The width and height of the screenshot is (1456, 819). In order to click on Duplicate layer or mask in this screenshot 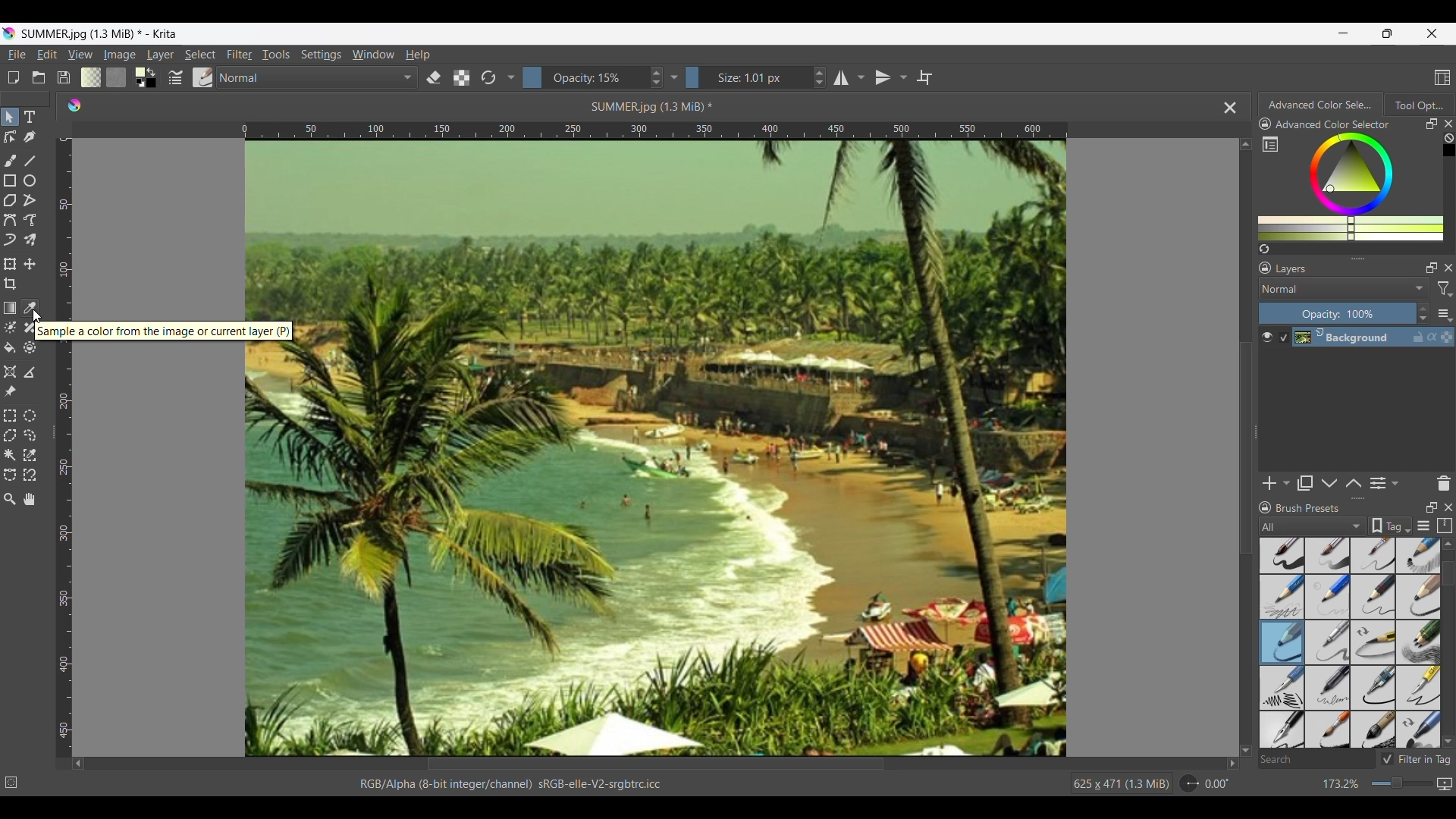, I will do `click(1304, 483)`.